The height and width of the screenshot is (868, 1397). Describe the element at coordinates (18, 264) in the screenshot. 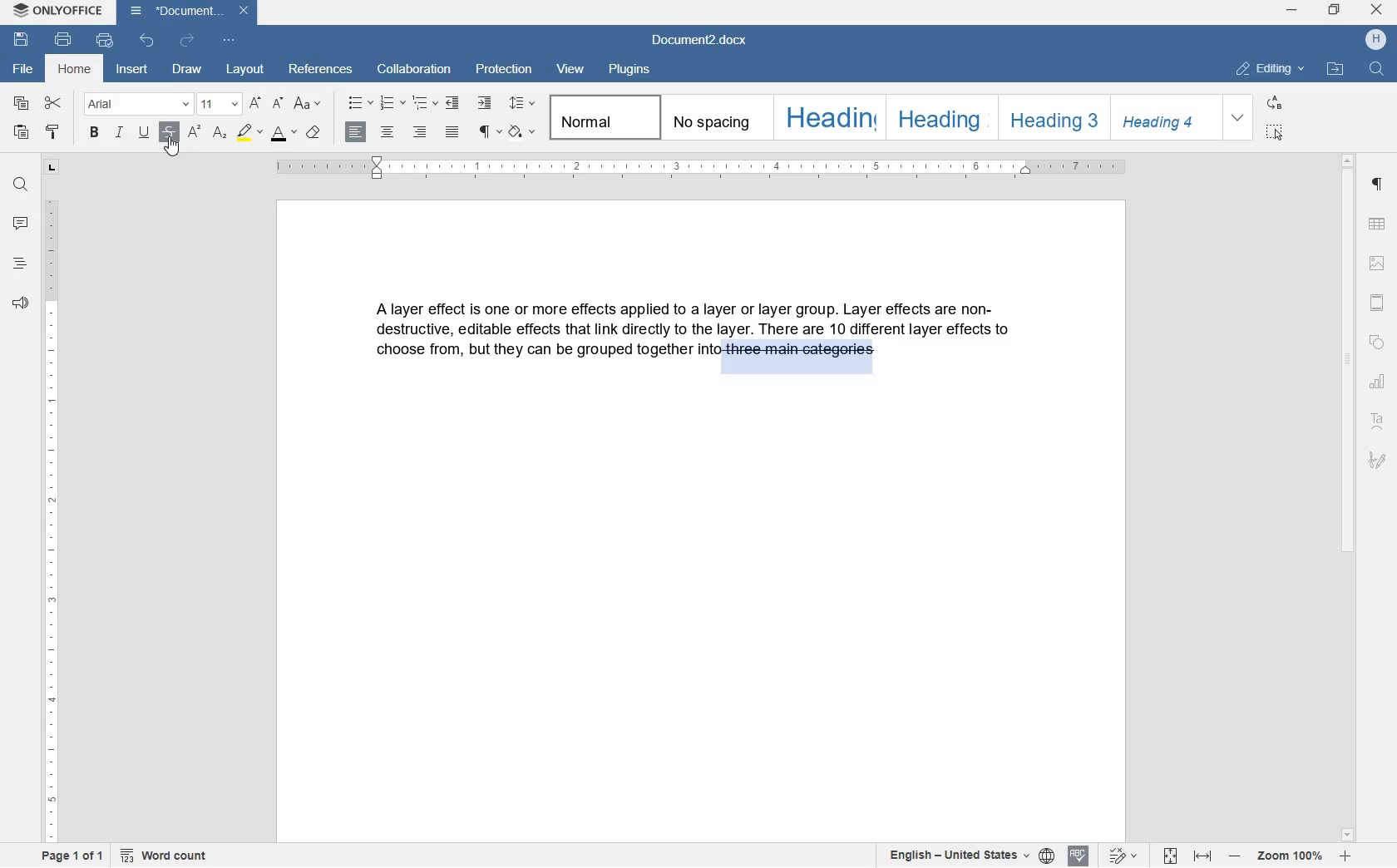

I see `heading ` at that location.